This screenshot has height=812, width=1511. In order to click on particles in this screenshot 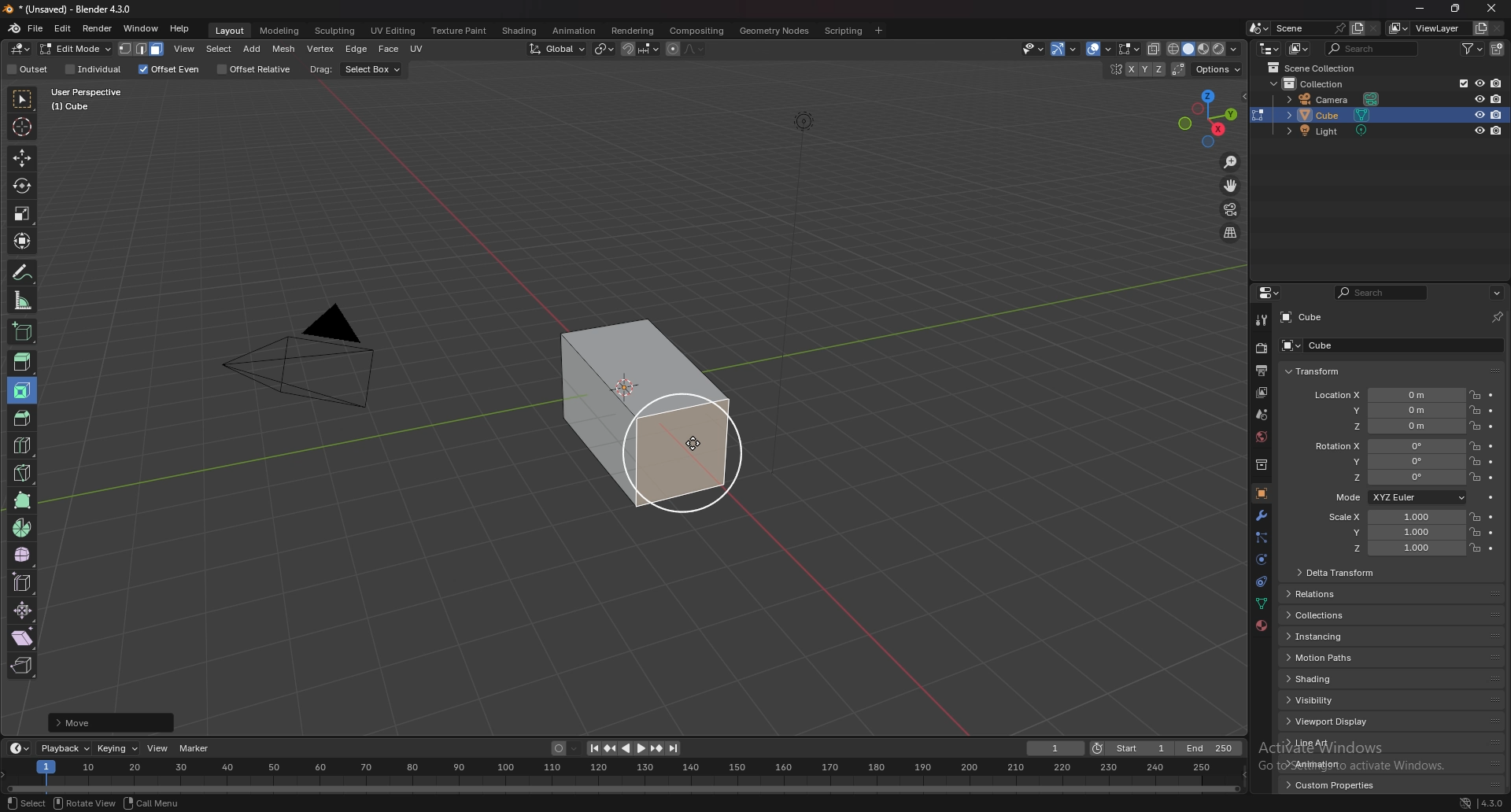, I will do `click(1260, 539)`.